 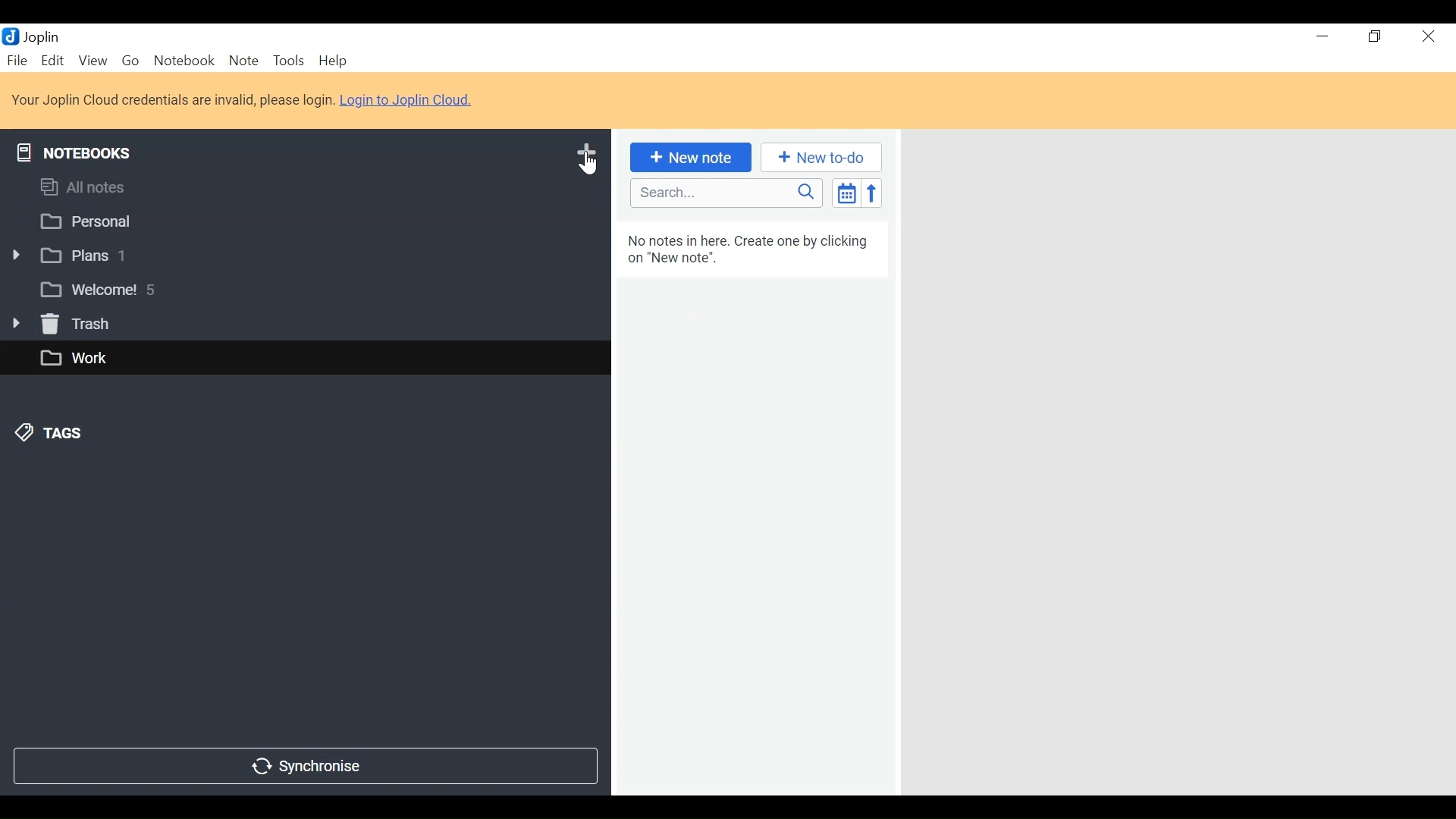 I want to click on plans 1 , so click(x=299, y=253).